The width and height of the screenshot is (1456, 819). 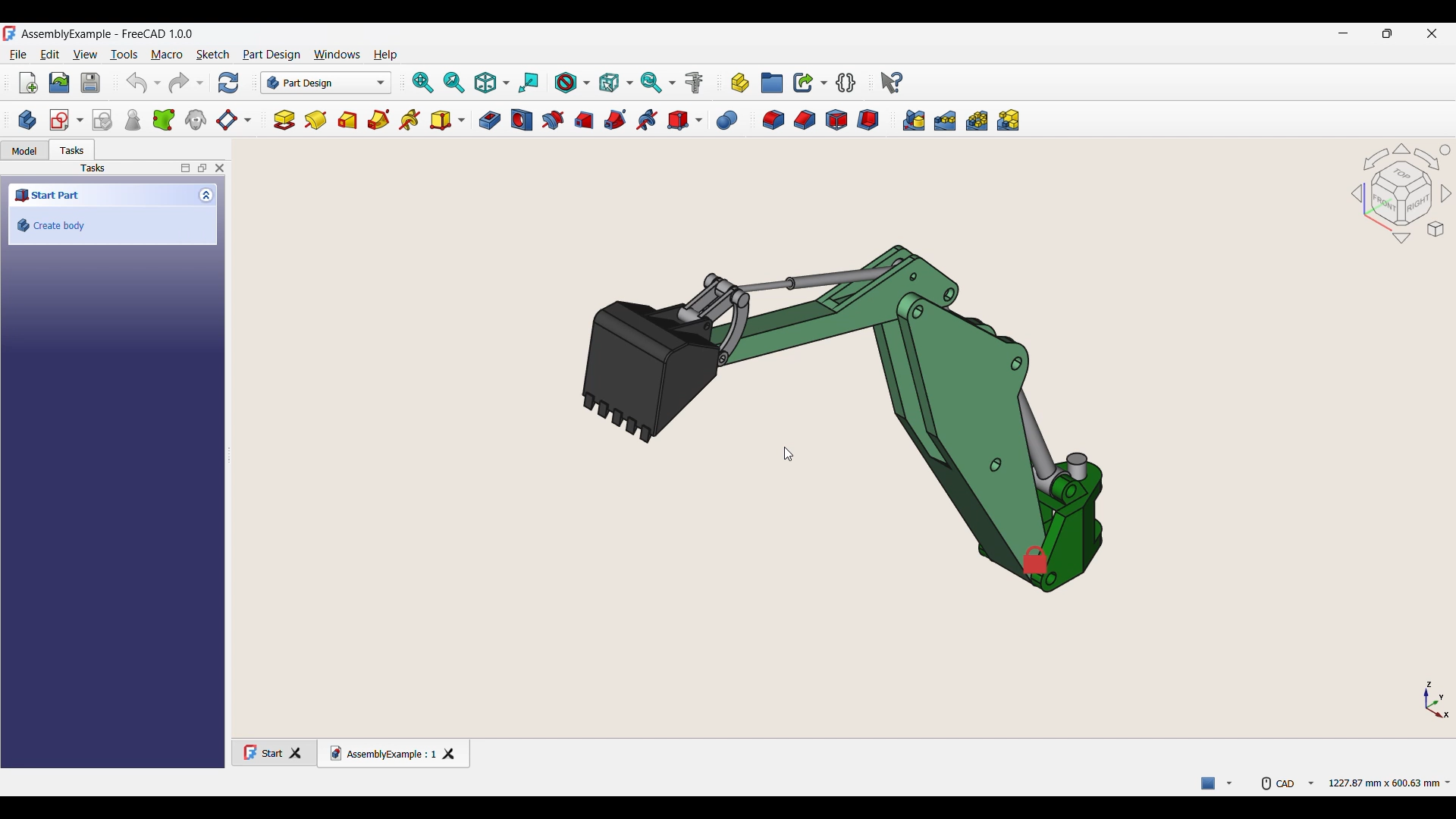 What do you see at coordinates (271, 55) in the screenshot?
I see `Part design` at bounding box center [271, 55].